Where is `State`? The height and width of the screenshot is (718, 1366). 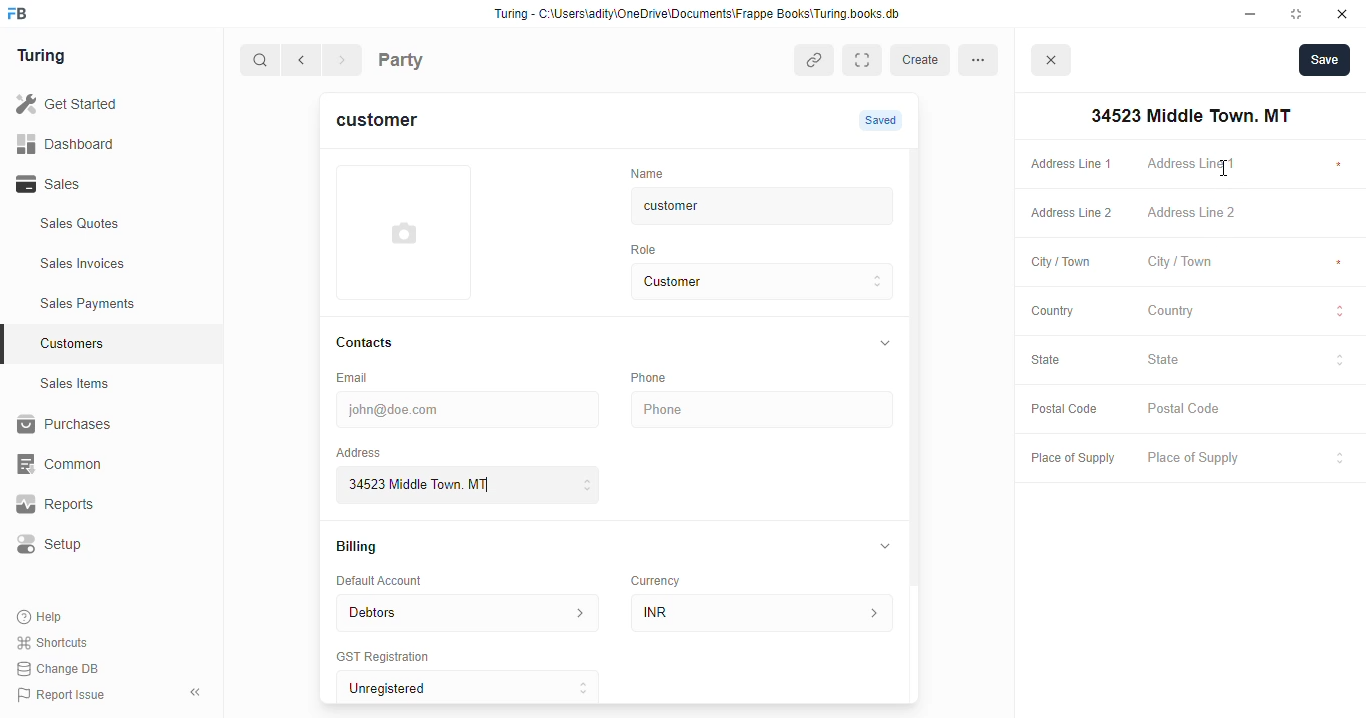
State is located at coordinates (1247, 360).